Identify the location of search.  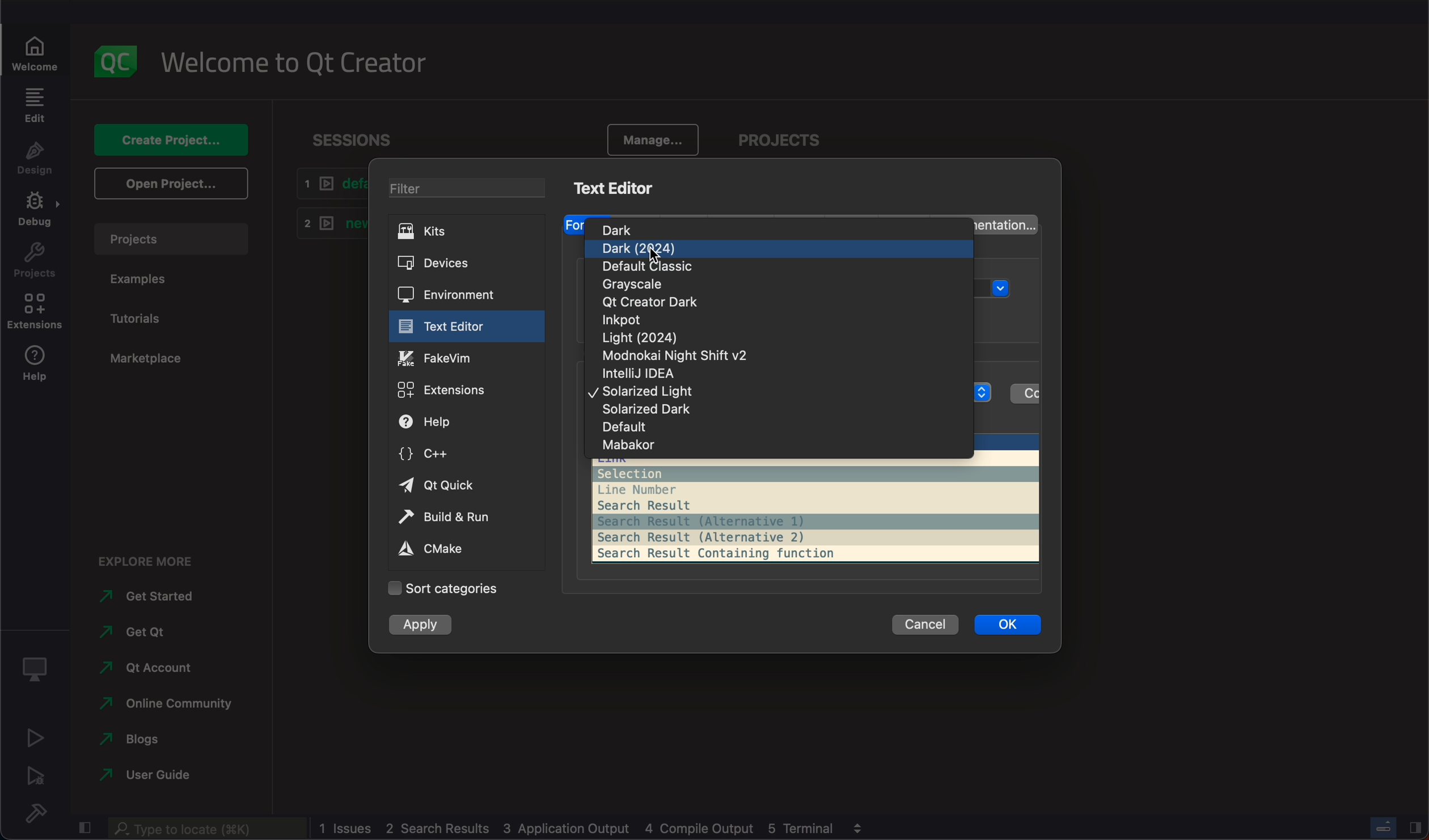
(206, 829).